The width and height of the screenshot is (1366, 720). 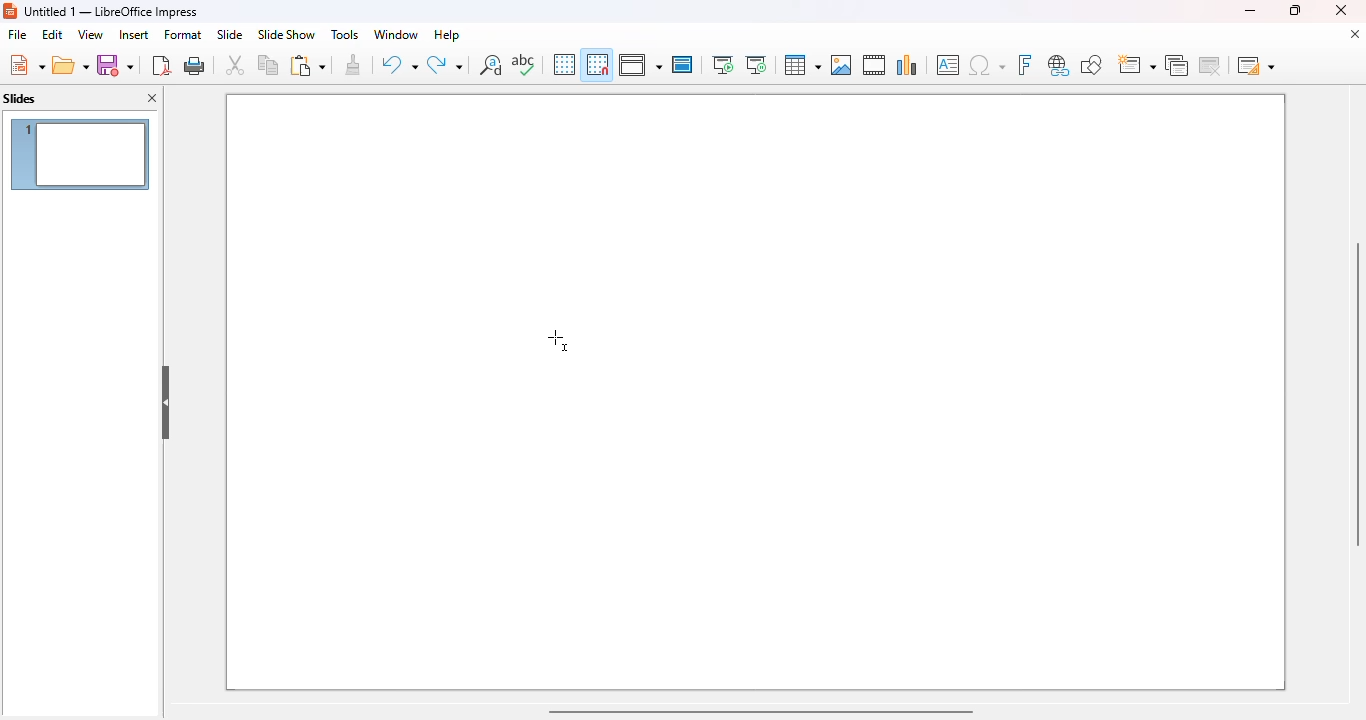 I want to click on view, so click(x=90, y=34).